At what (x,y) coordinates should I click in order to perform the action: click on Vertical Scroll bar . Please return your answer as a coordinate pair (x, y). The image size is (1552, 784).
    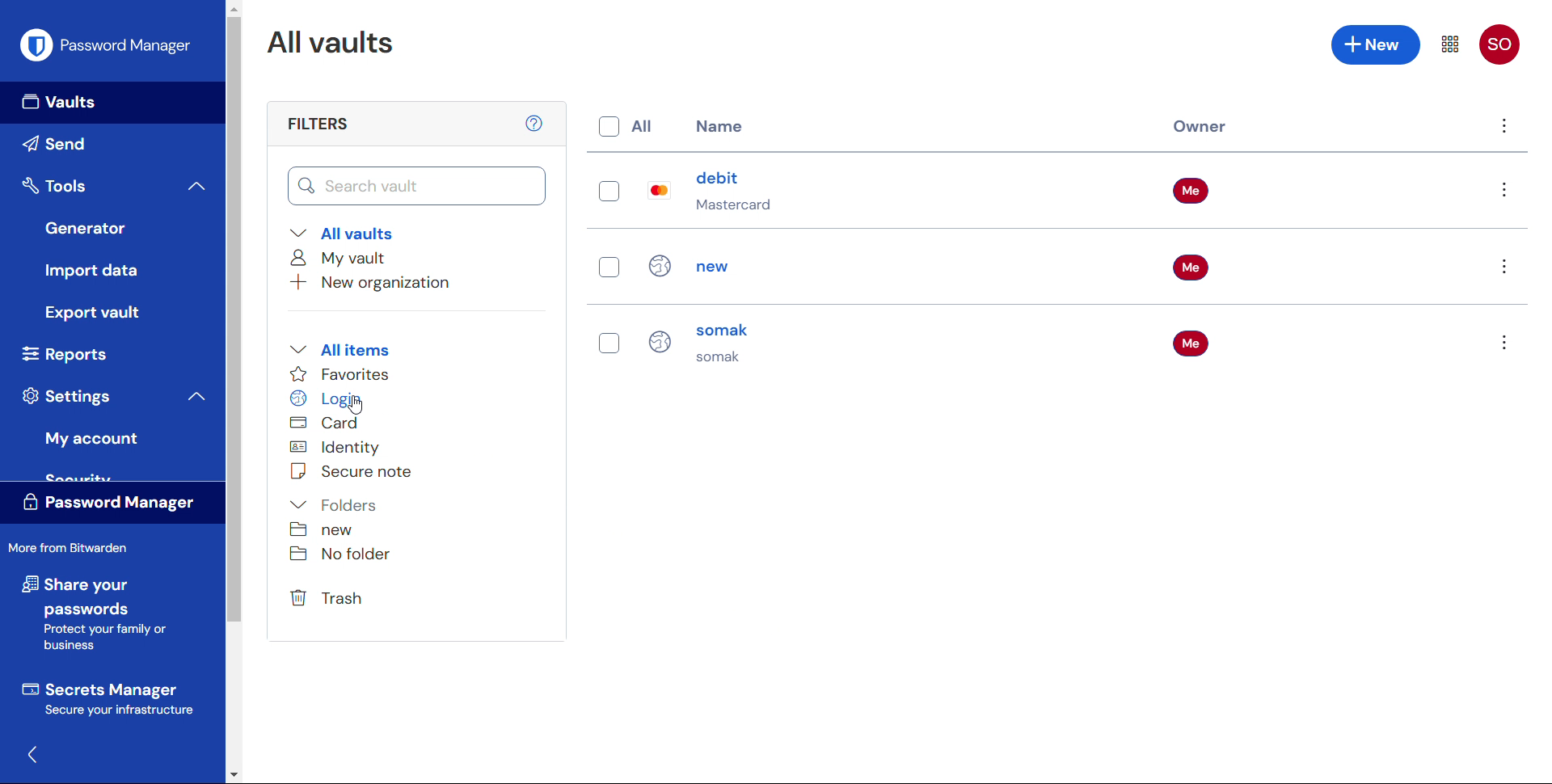
    Looking at the image, I should click on (233, 319).